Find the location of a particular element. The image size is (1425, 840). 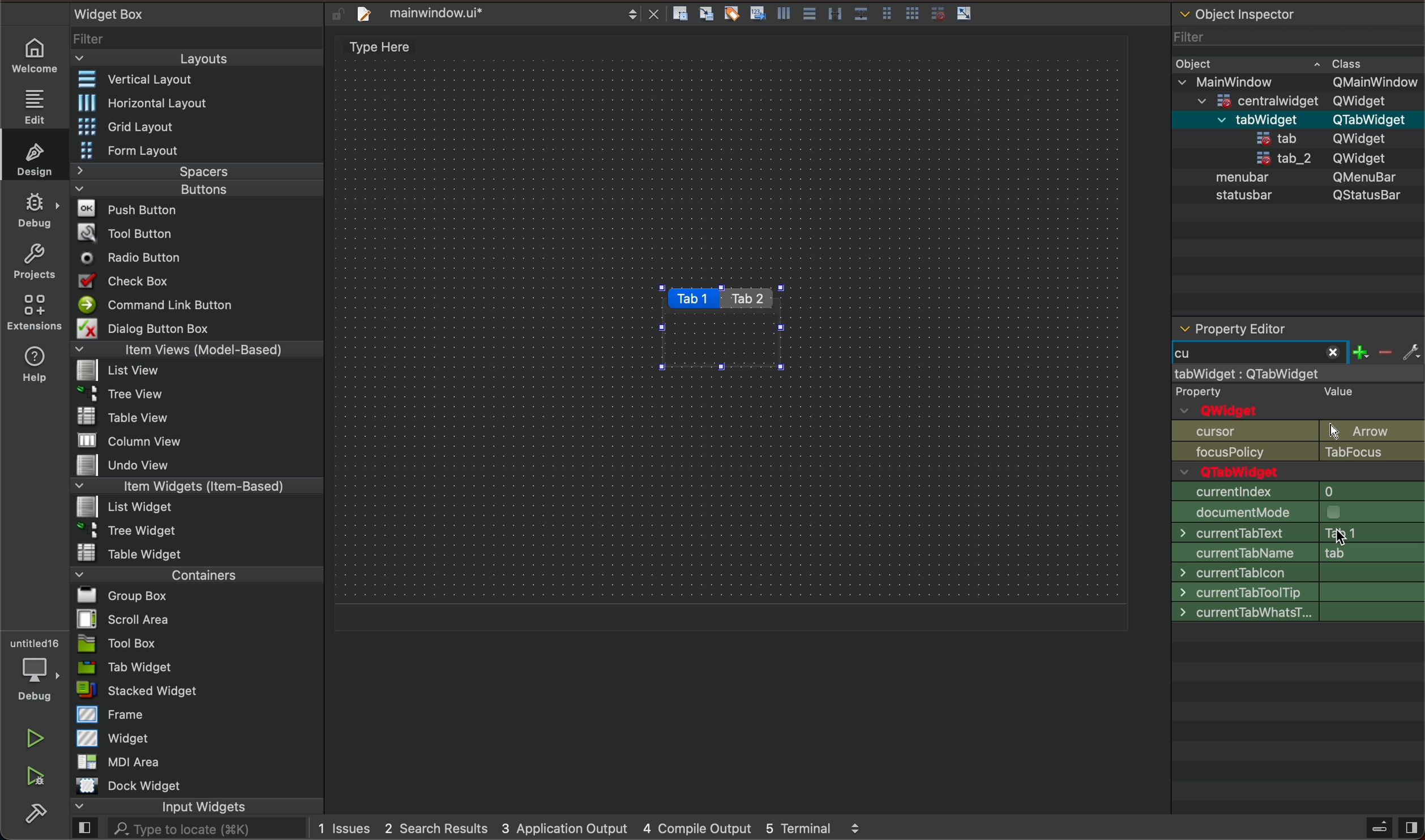

Check Box is located at coordinates (125, 279).